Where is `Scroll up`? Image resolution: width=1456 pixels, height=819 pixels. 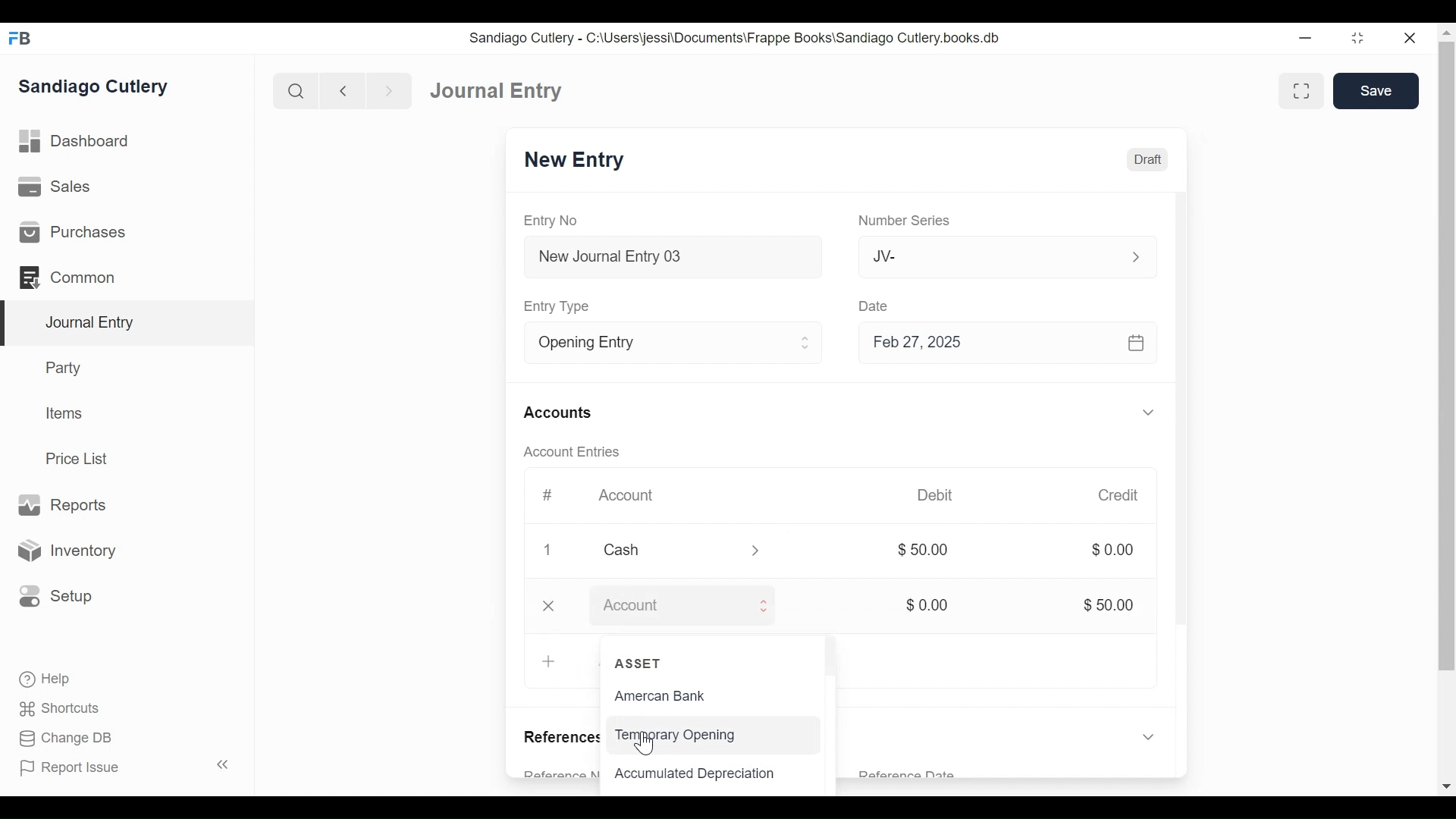 Scroll up is located at coordinates (1446, 32).